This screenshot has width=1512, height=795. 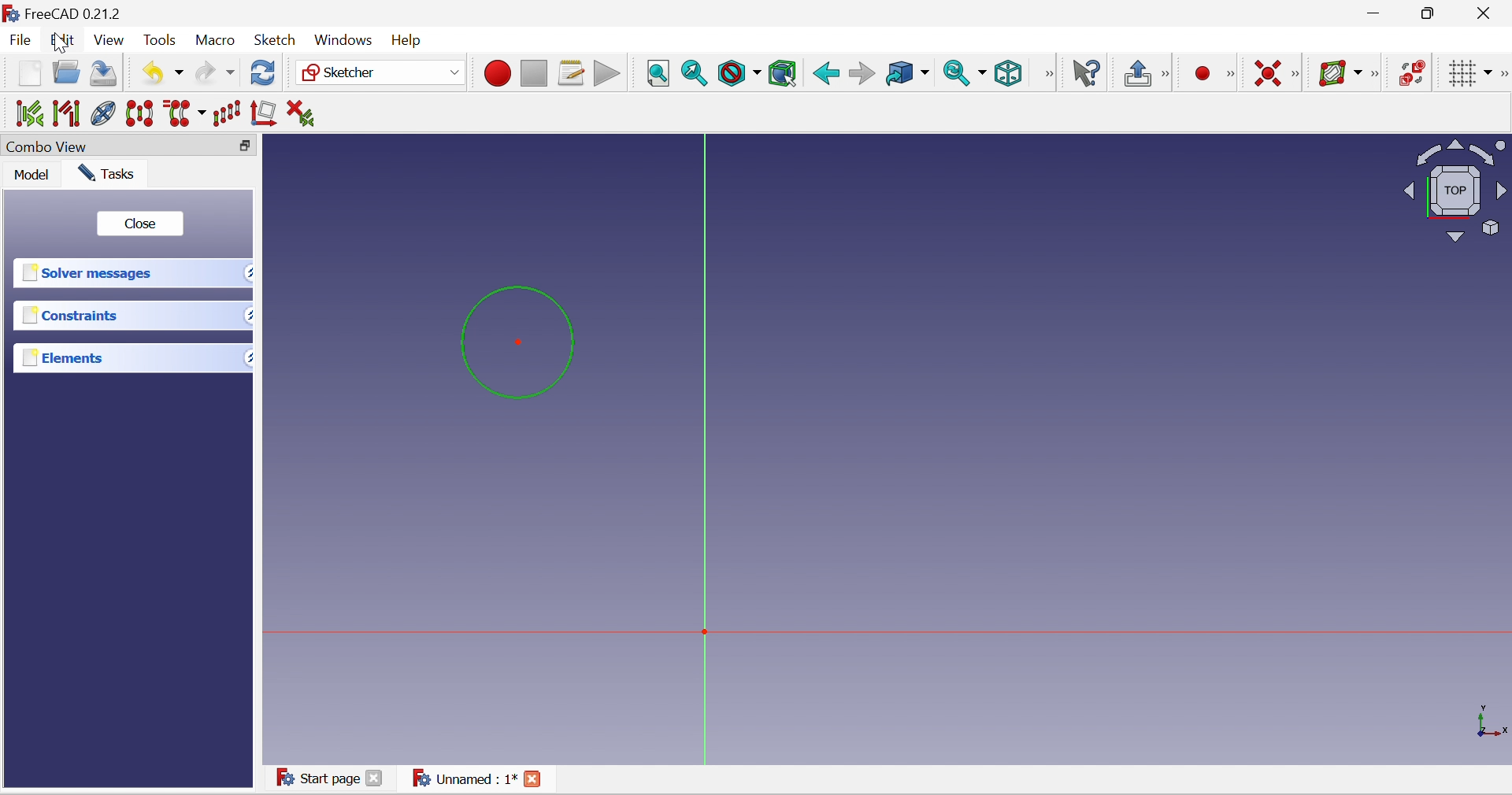 I want to click on Show/hide B-spline information layer, so click(x=1340, y=72).